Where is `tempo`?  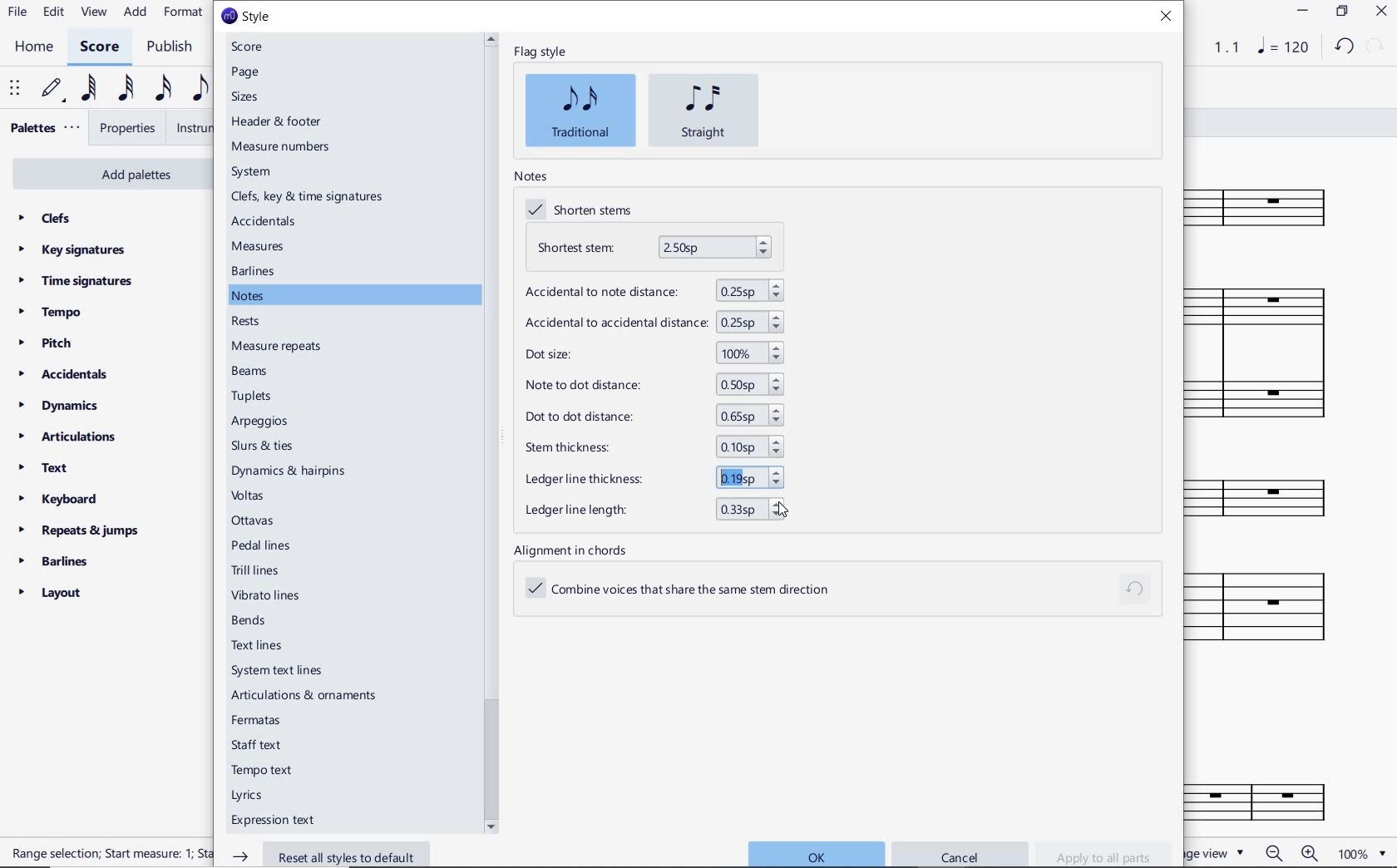
tempo is located at coordinates (53, 313).